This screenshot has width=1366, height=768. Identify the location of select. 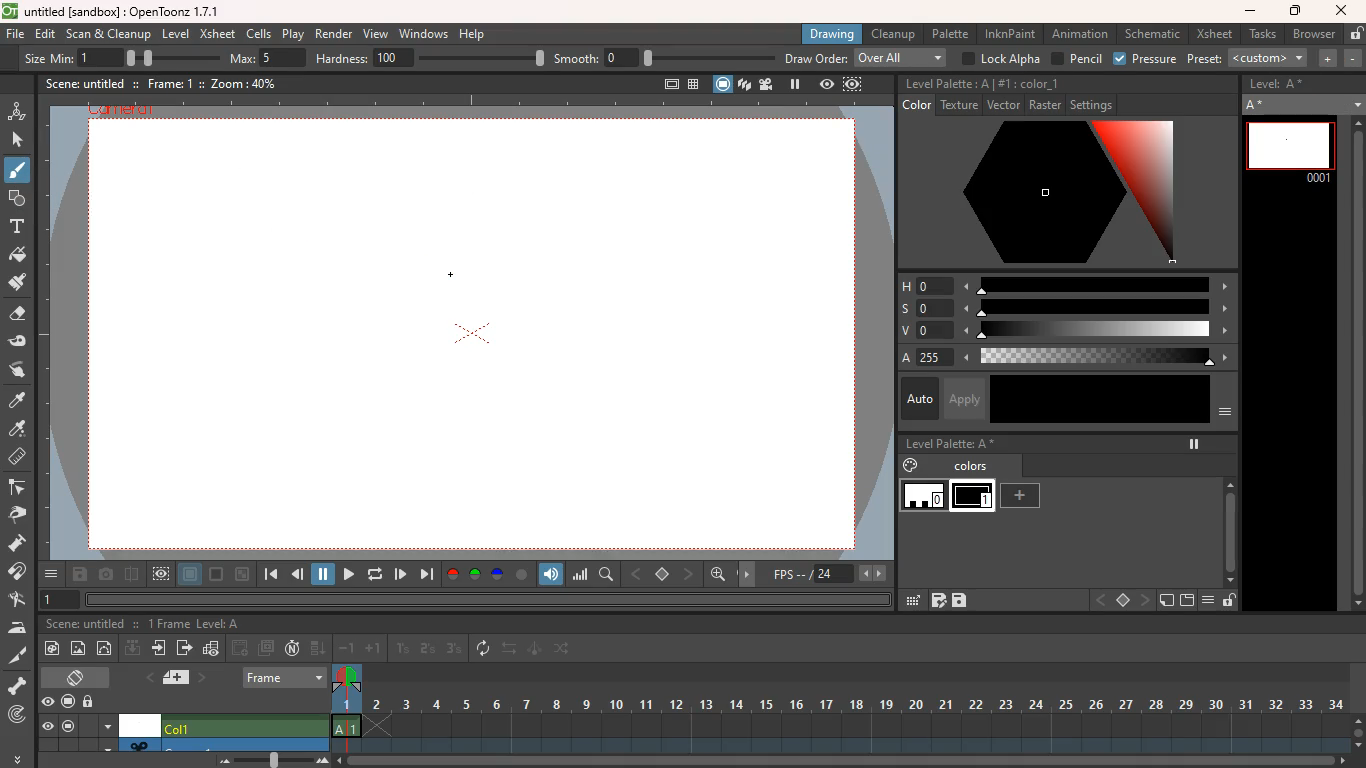
(19, 140).